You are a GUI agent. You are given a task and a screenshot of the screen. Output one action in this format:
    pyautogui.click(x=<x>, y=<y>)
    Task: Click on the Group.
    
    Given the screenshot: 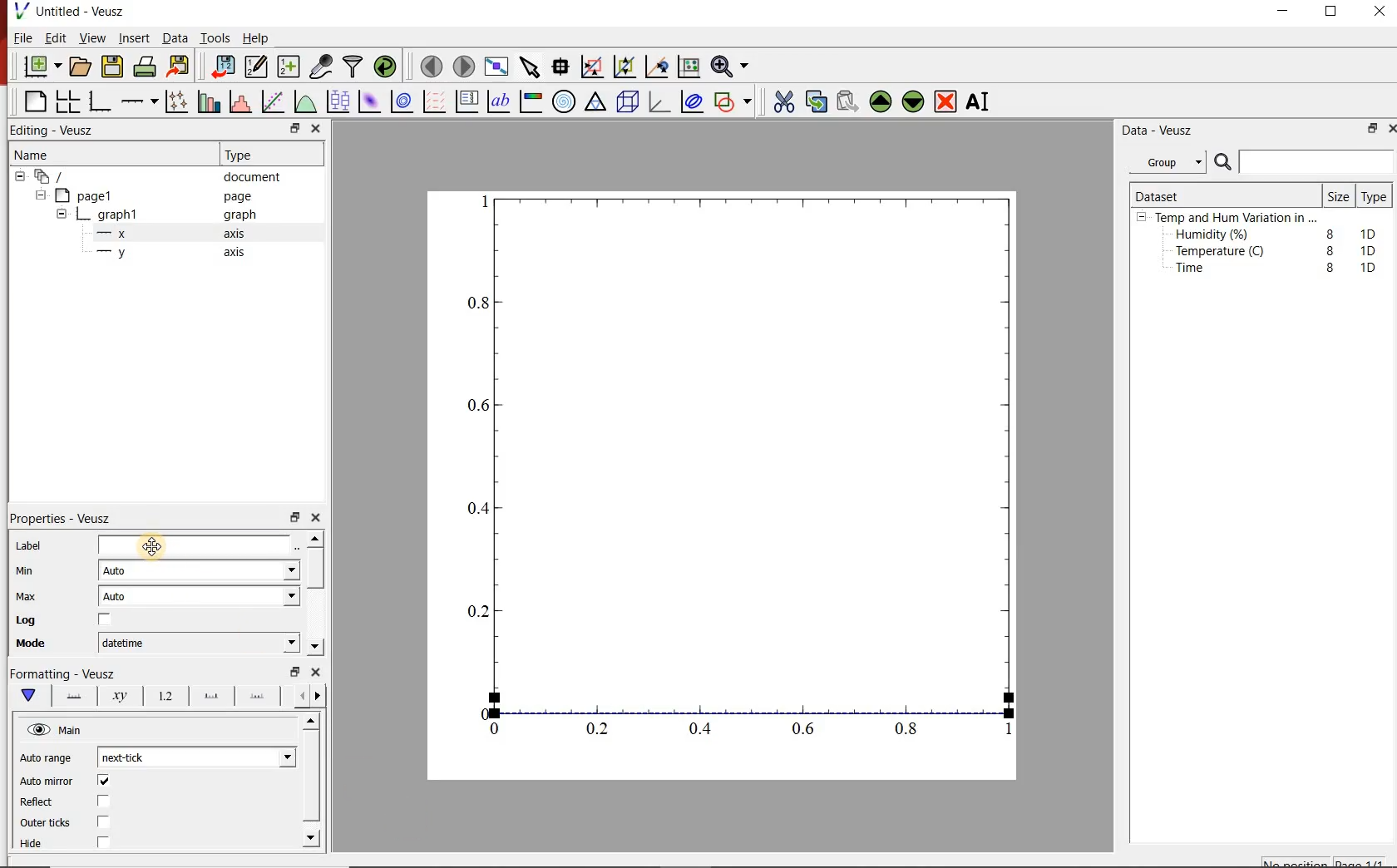 What is the action you would take?
    pyautogui.click(x=1171, y=159)
    